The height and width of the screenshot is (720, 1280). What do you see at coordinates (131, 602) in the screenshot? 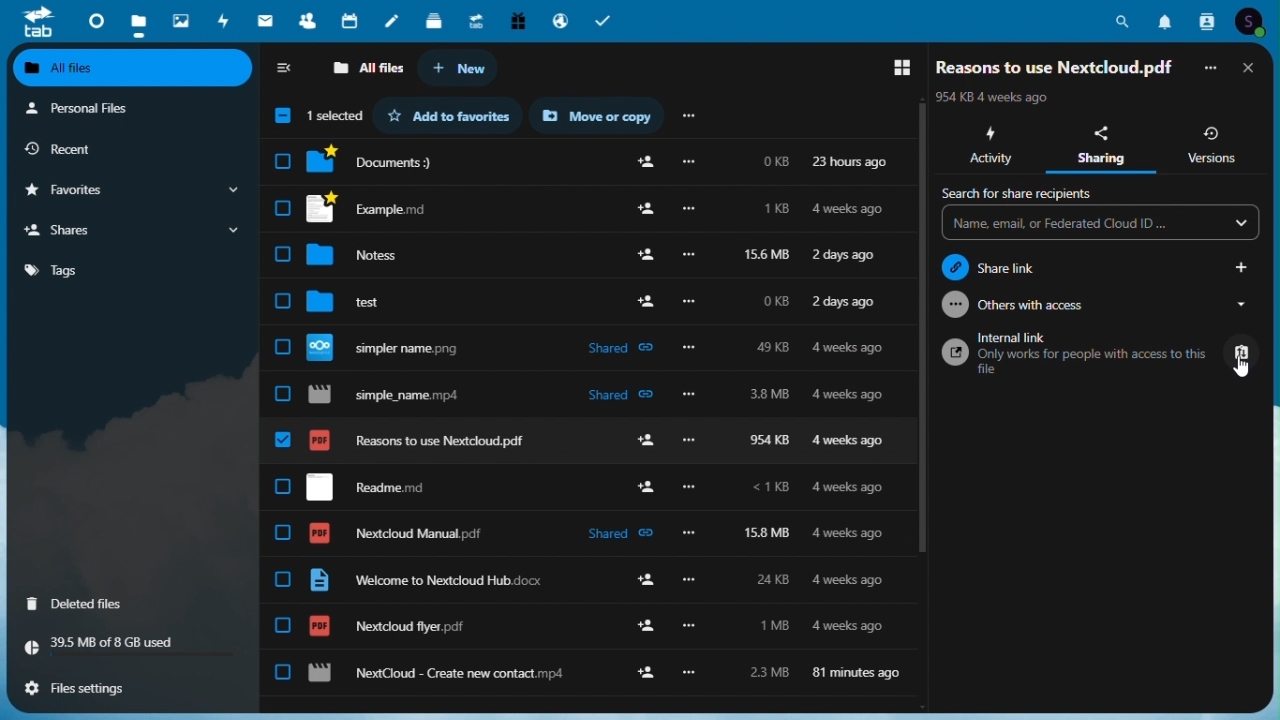
I see `deleted files` at bounding box center [131, 602].